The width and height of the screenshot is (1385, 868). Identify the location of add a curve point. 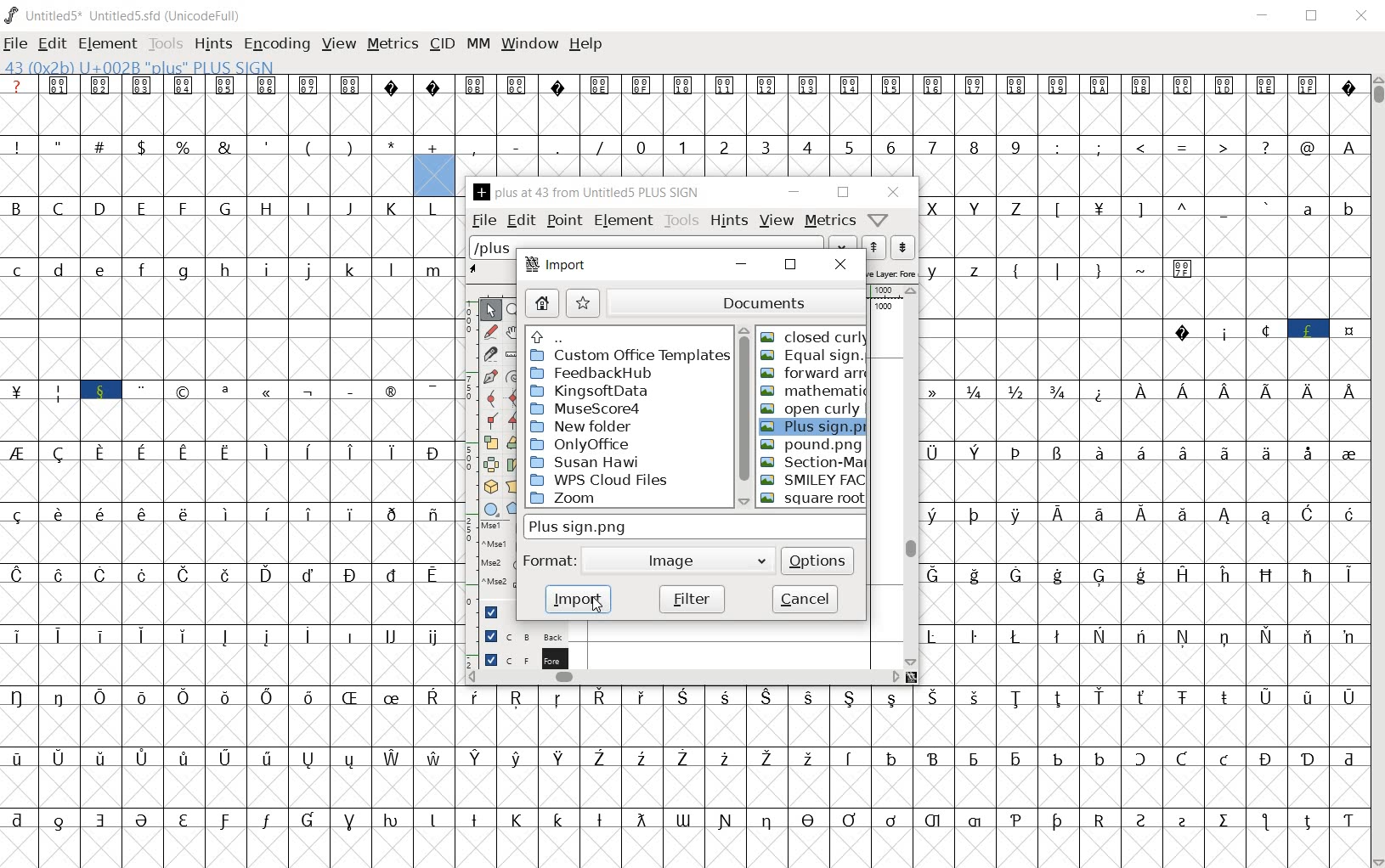
(491, 397).